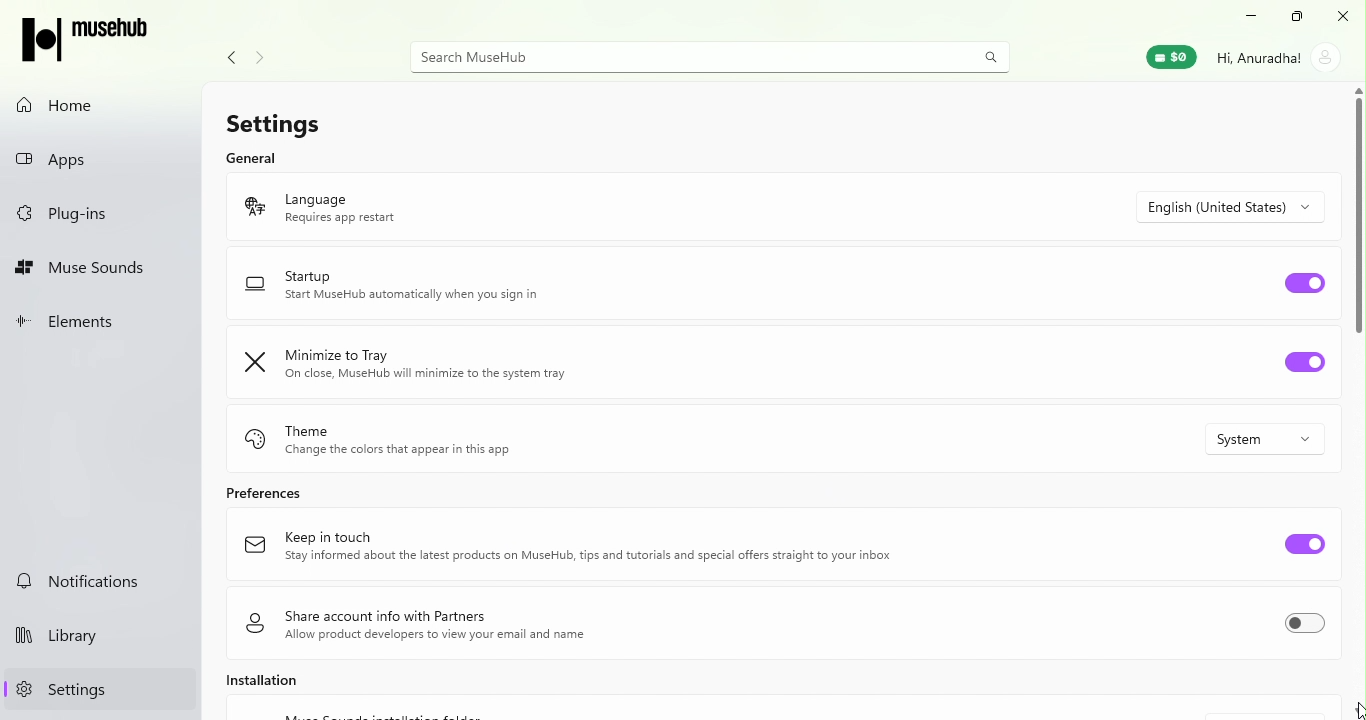  Describe the element at coordinates (278, 121) in the screenshot. I see `Settings` at that location.